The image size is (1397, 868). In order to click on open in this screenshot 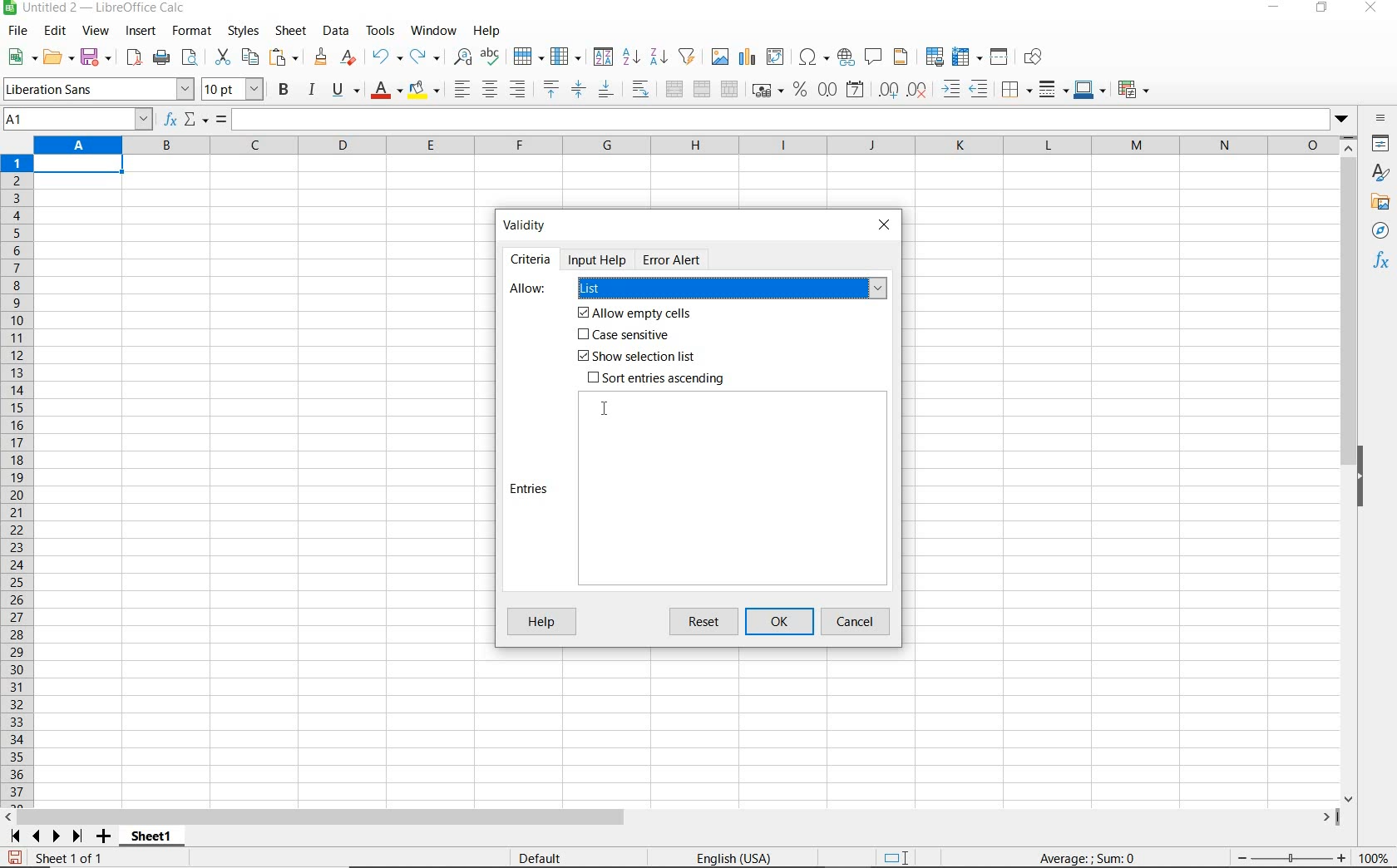, I will do `click(57, 57)`.